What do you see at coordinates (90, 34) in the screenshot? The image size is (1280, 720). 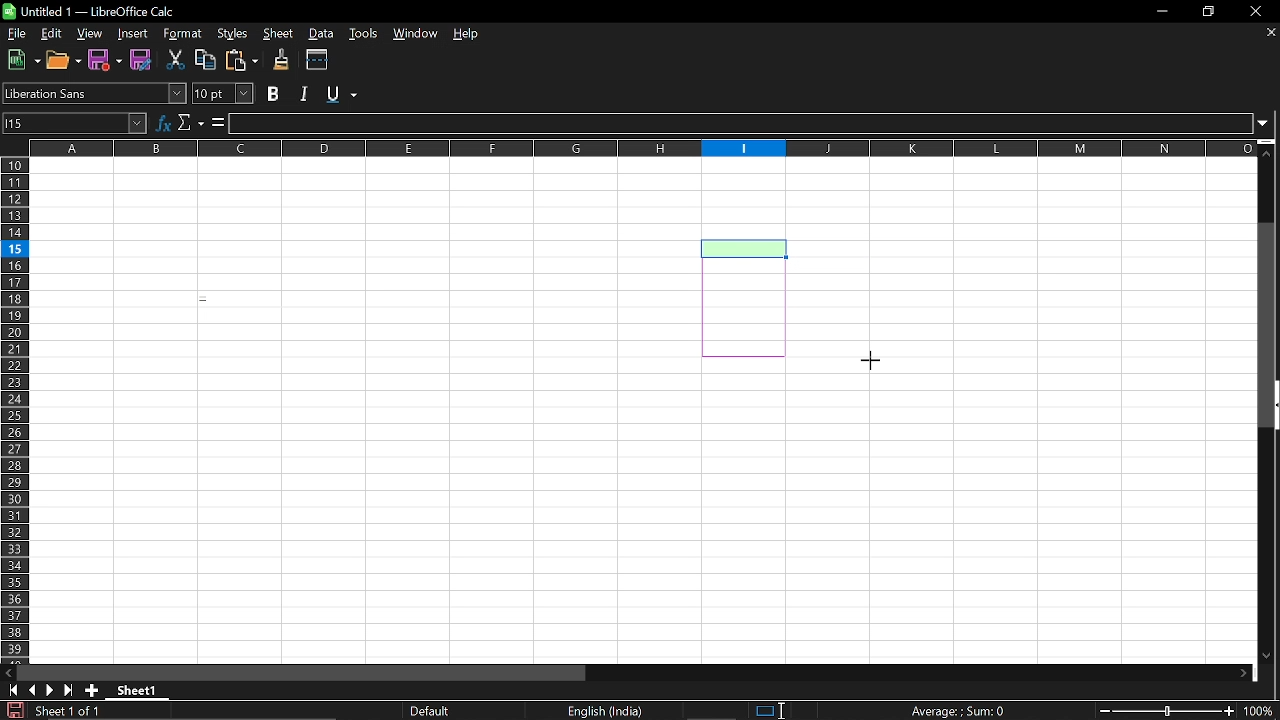 I see `View` at bounding box center [90, 34].